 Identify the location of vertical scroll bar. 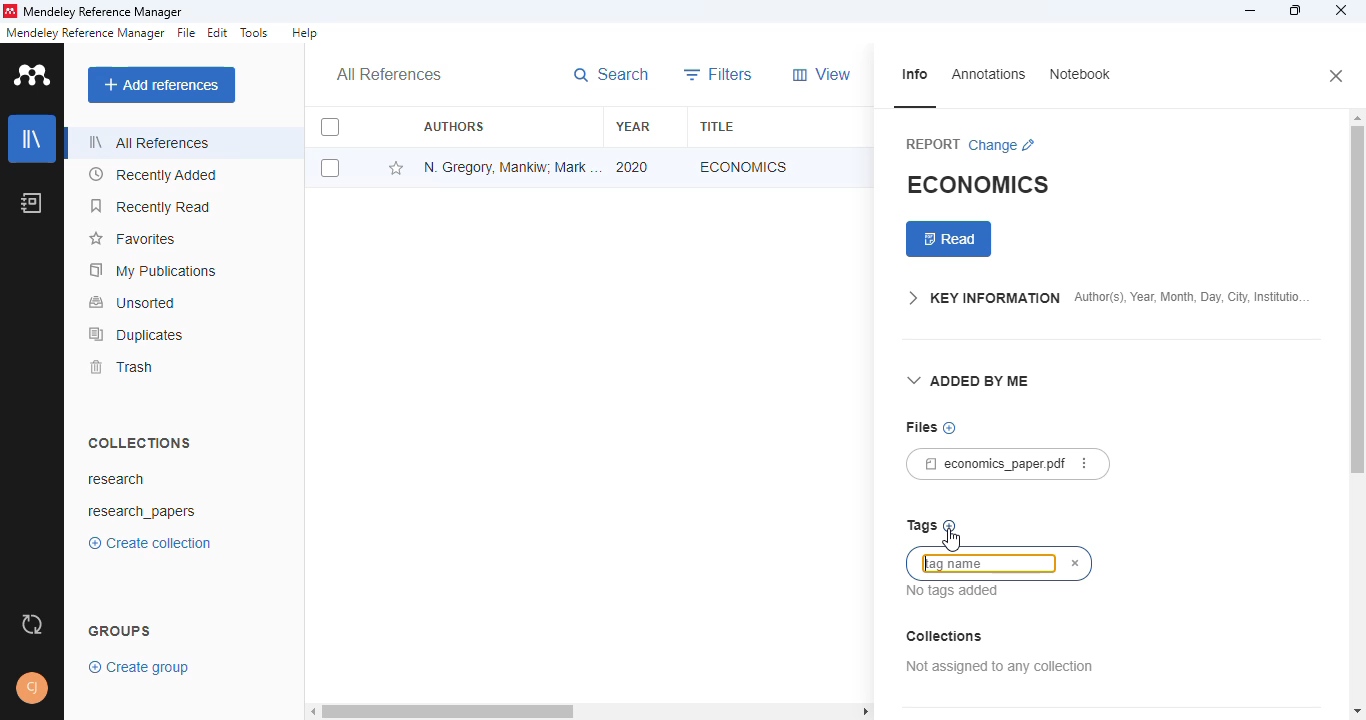
(1356, 309).